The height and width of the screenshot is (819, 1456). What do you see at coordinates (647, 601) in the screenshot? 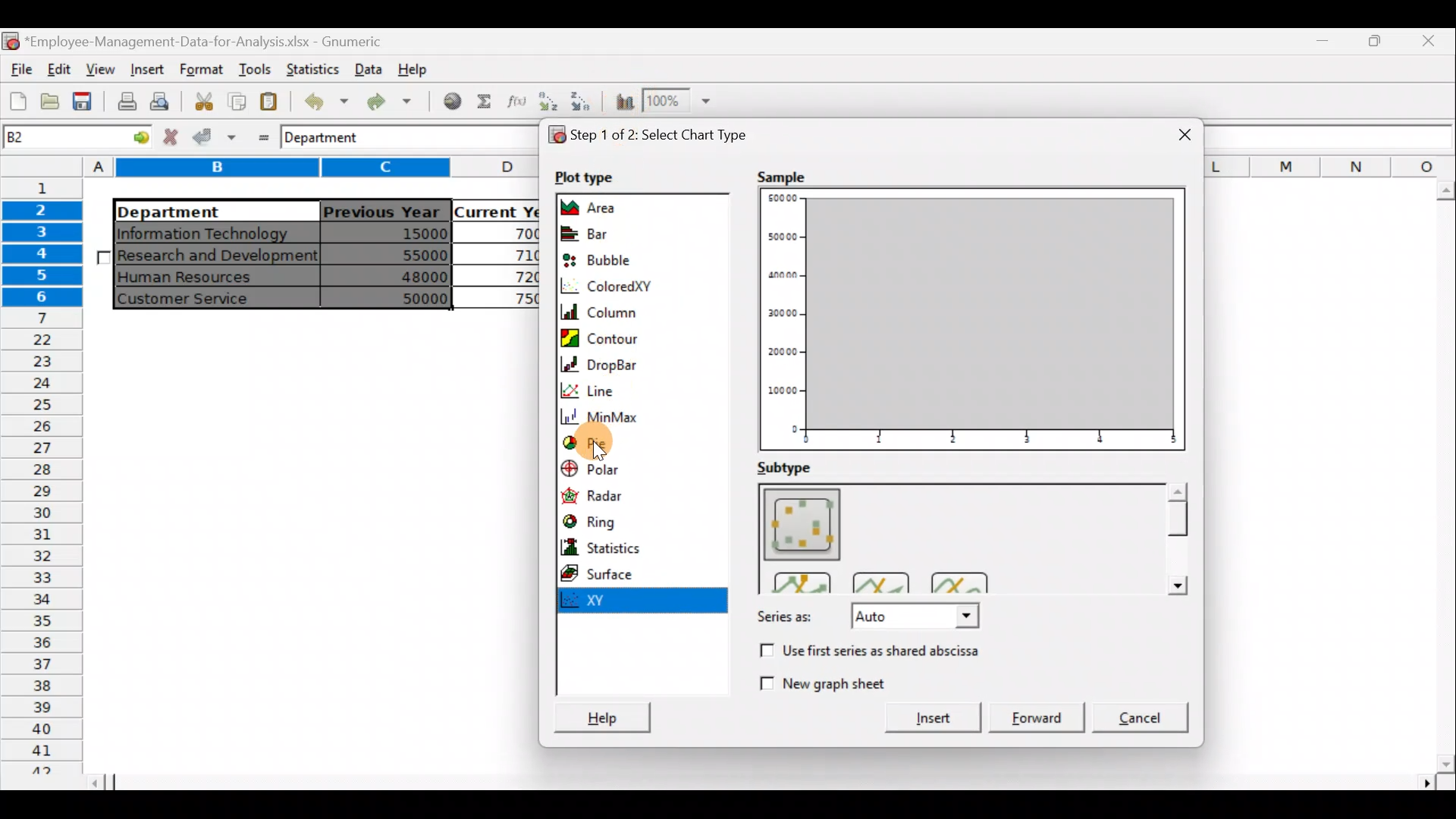
I see `XY` at bounding box center [647, 601].